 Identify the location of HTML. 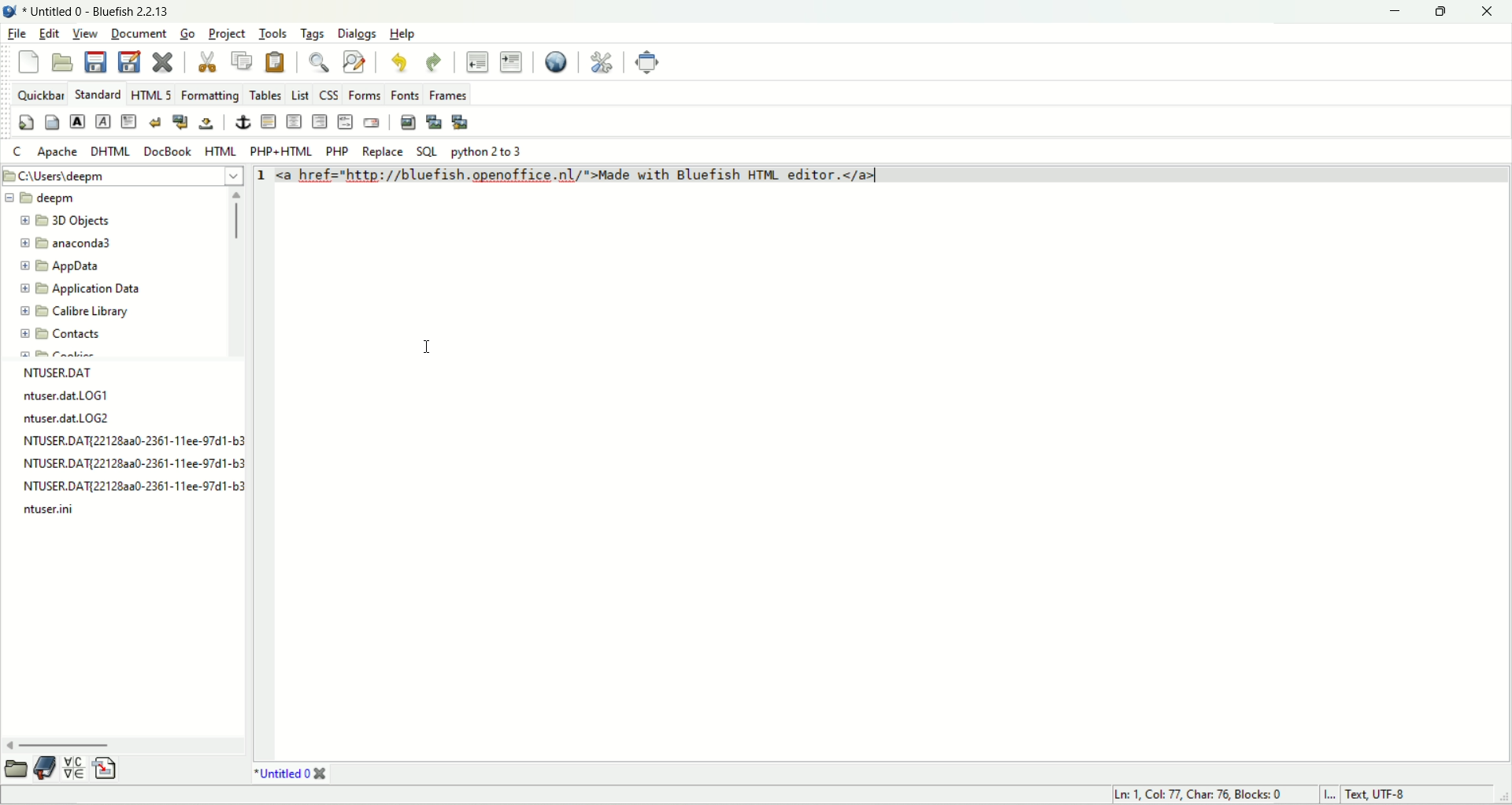
(223, 152).